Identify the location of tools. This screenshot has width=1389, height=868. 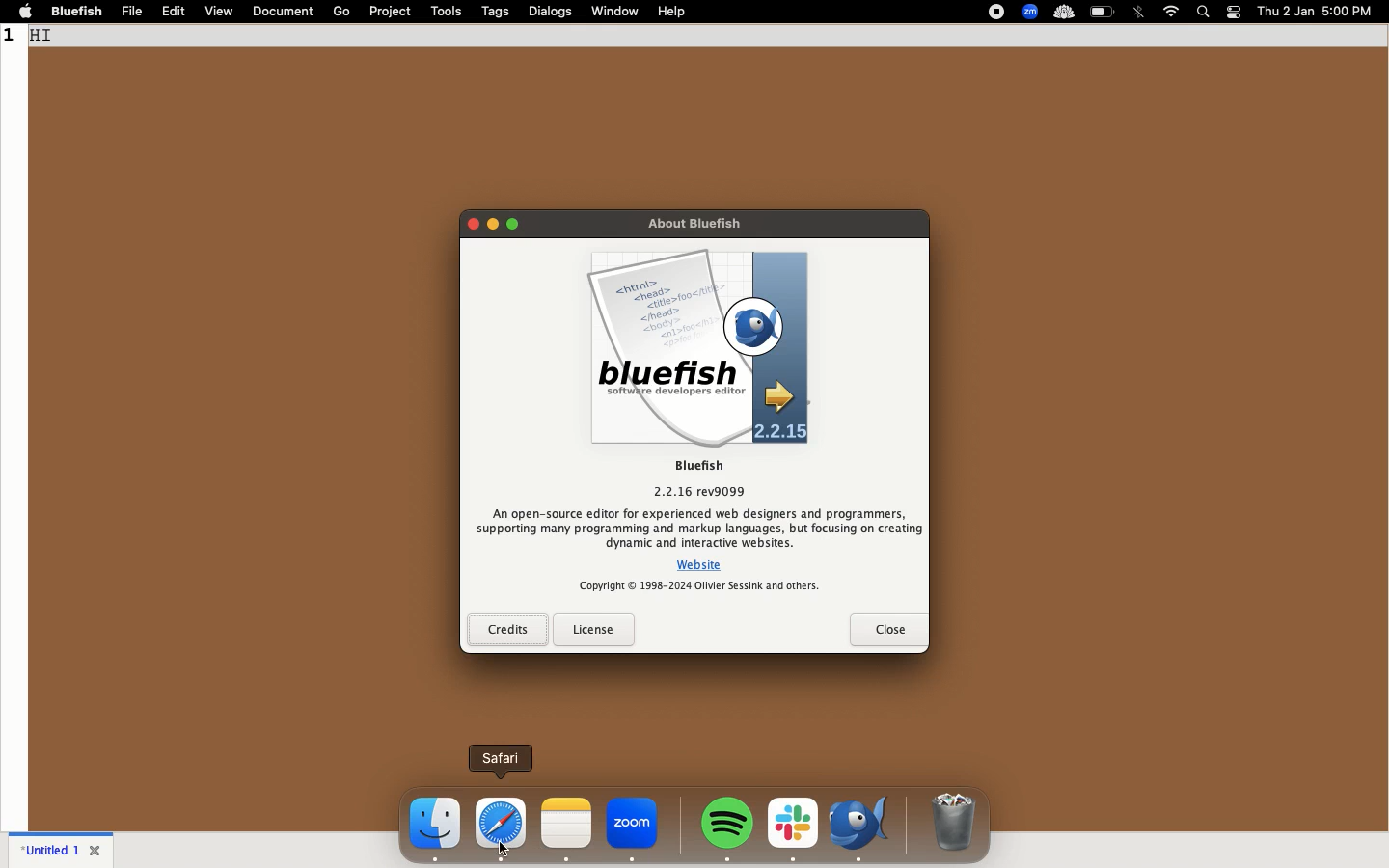
(449, 11).